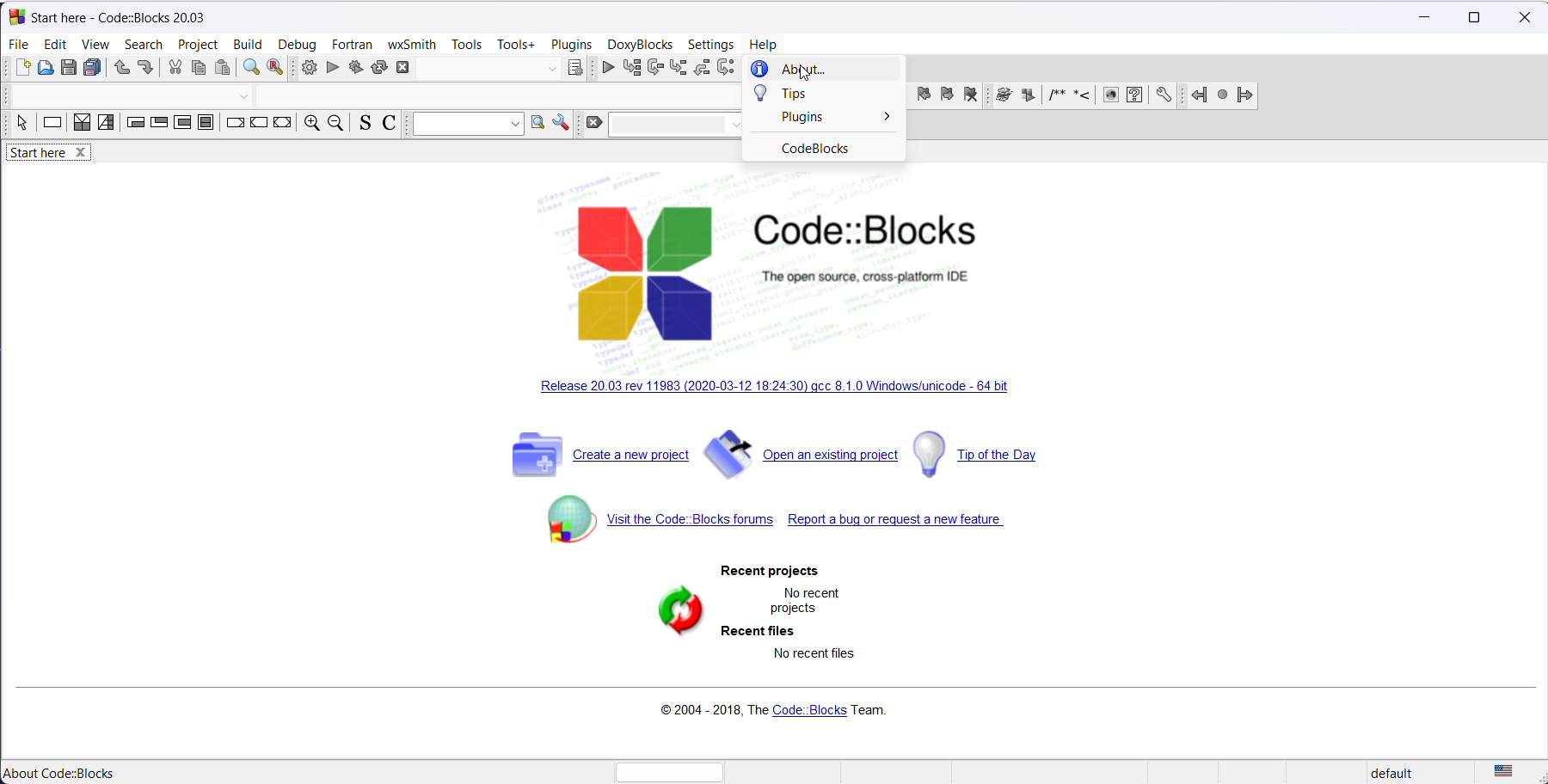  Describe the element at coordinates (464, 124) in the screenshot. I see `text dropdown` at that location.